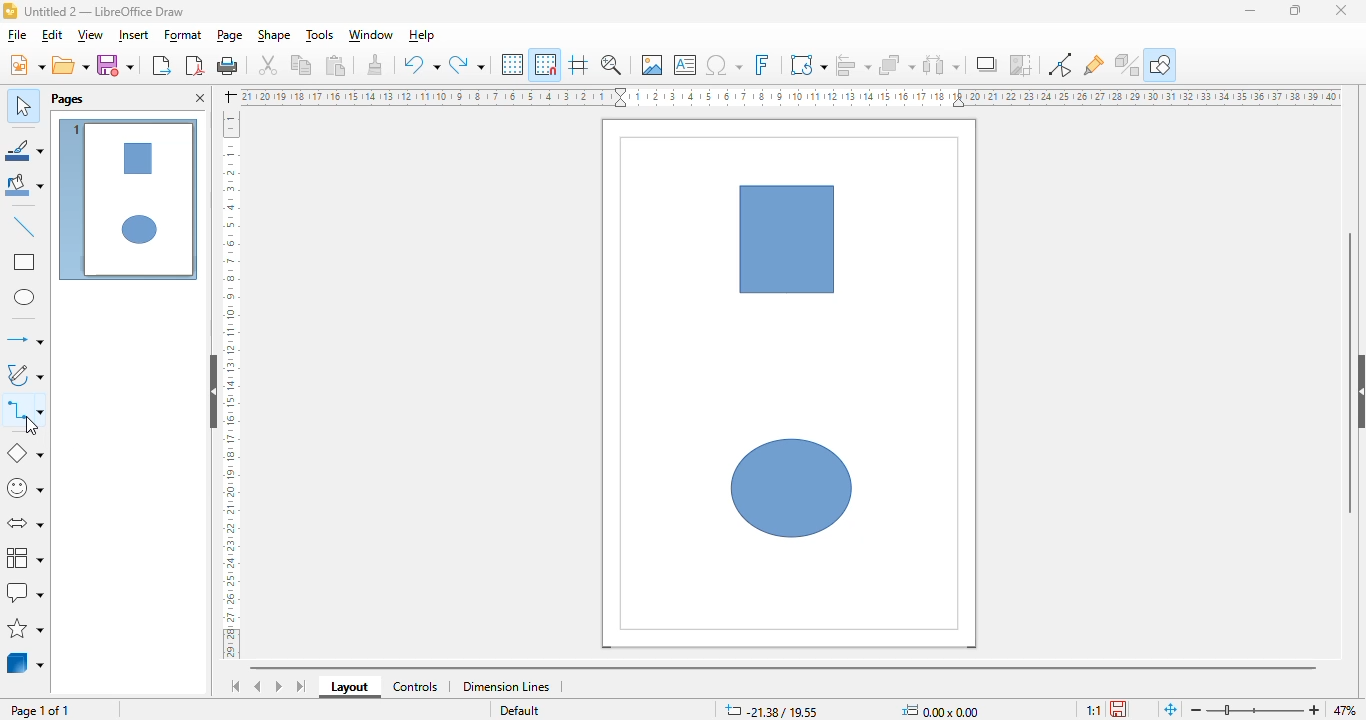 The image size is (1366, 720). I want to click on toggle extrusion, so click(1128, 65).